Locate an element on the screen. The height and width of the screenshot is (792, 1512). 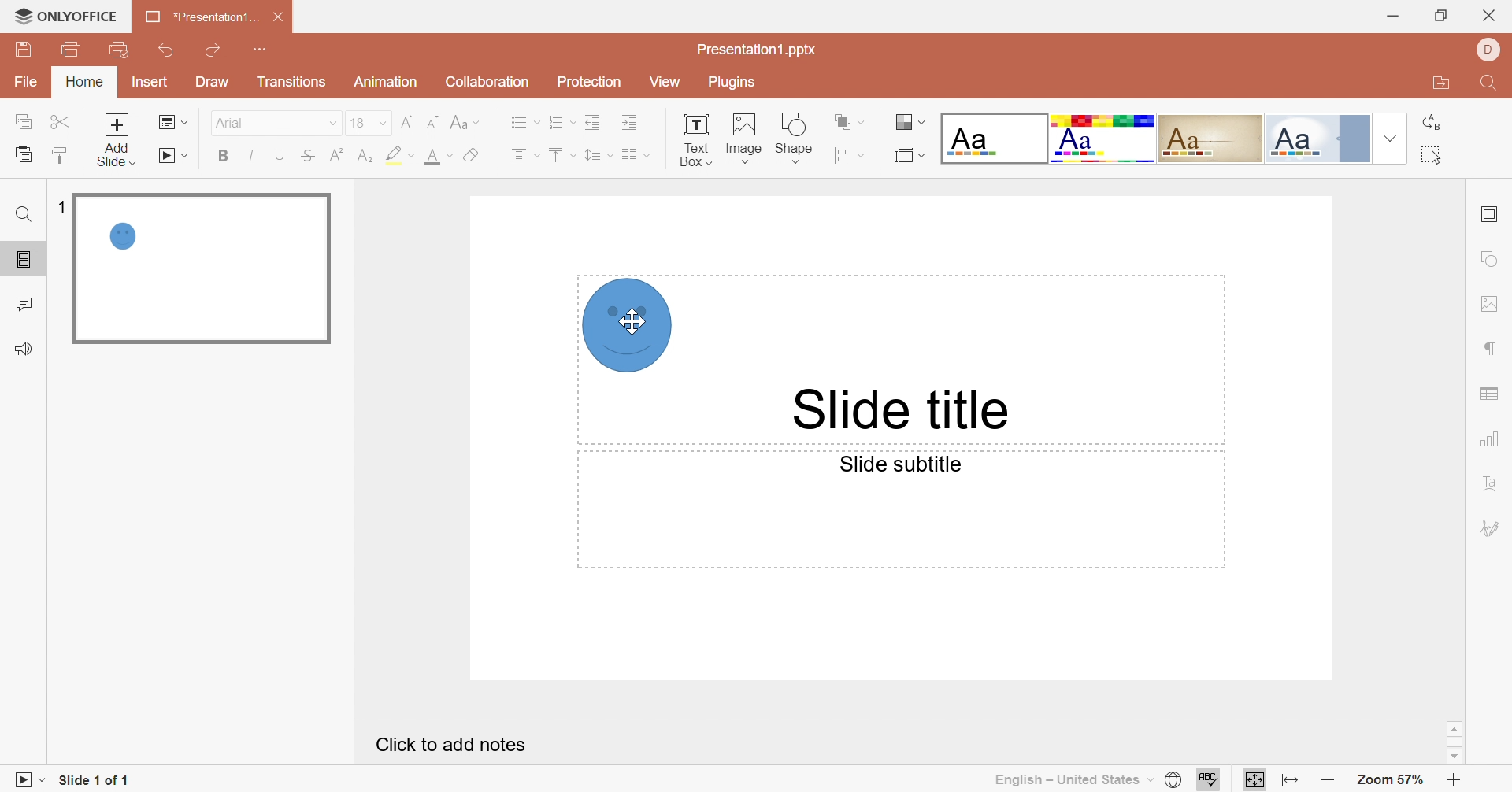
Slide title is located at coordinates (903, 411).